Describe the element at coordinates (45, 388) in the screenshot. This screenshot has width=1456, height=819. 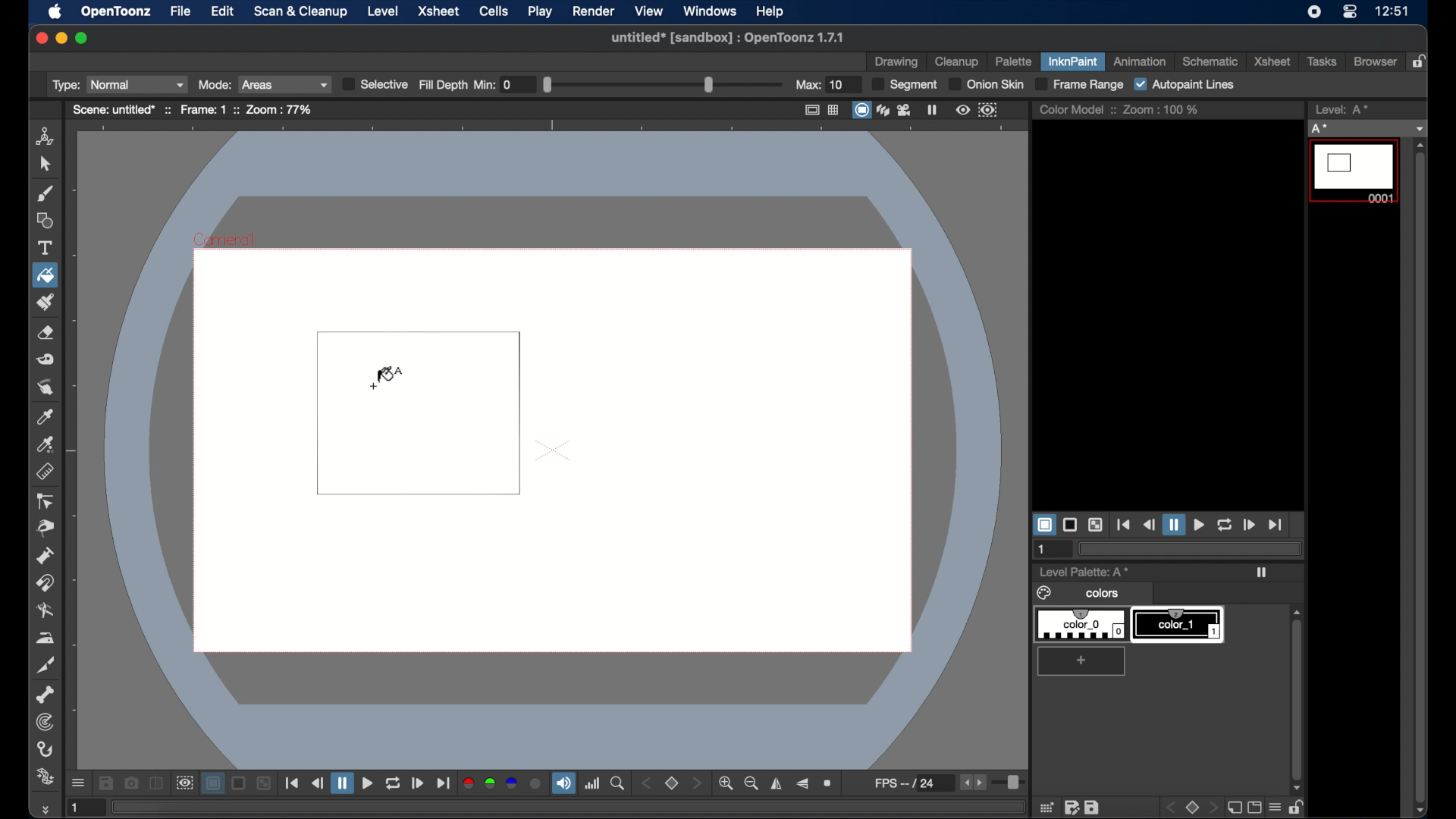
I see `finger tool` at that location.